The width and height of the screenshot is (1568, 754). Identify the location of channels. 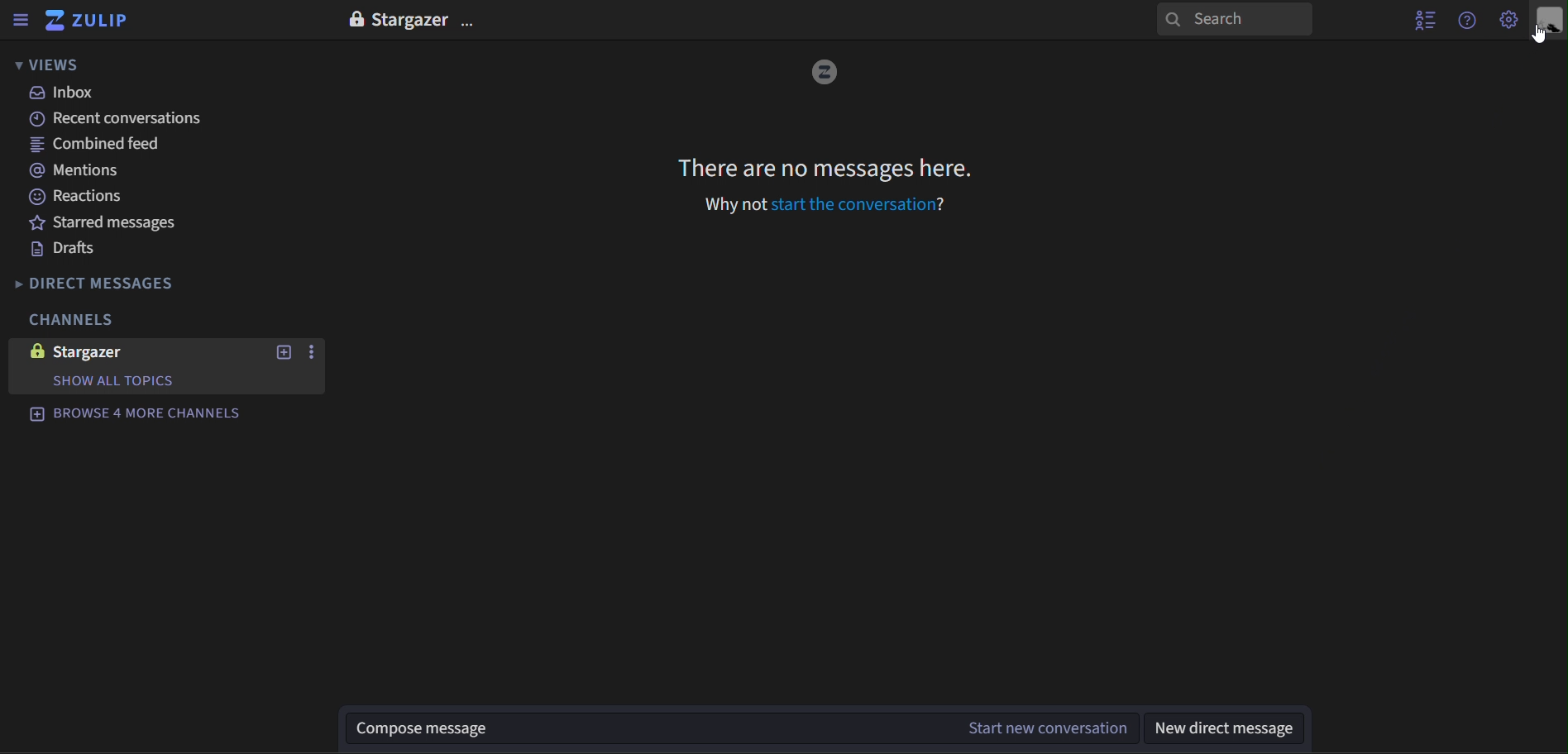
(79, 322).